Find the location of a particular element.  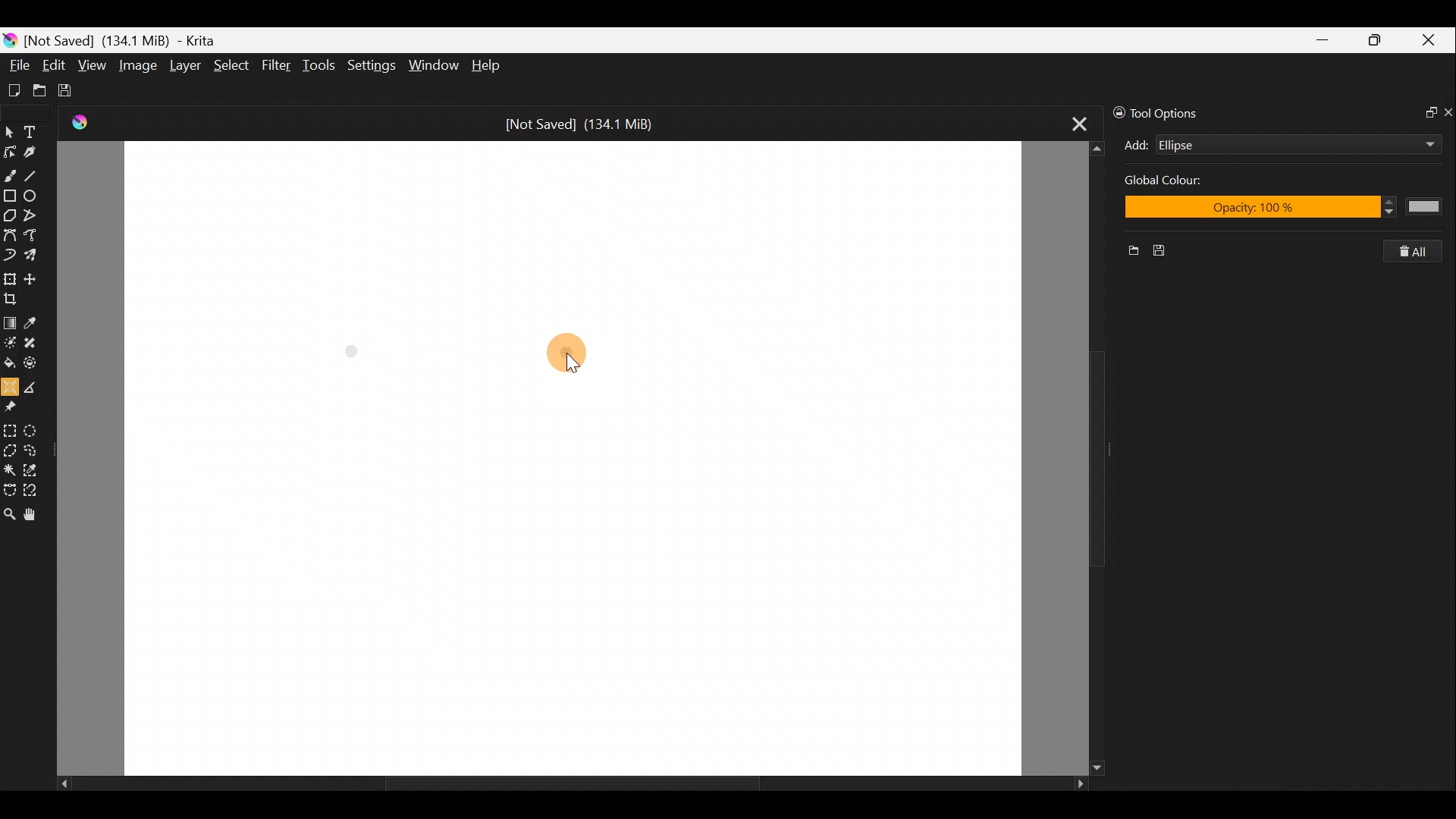

Window is located at coordinates (436, 64).